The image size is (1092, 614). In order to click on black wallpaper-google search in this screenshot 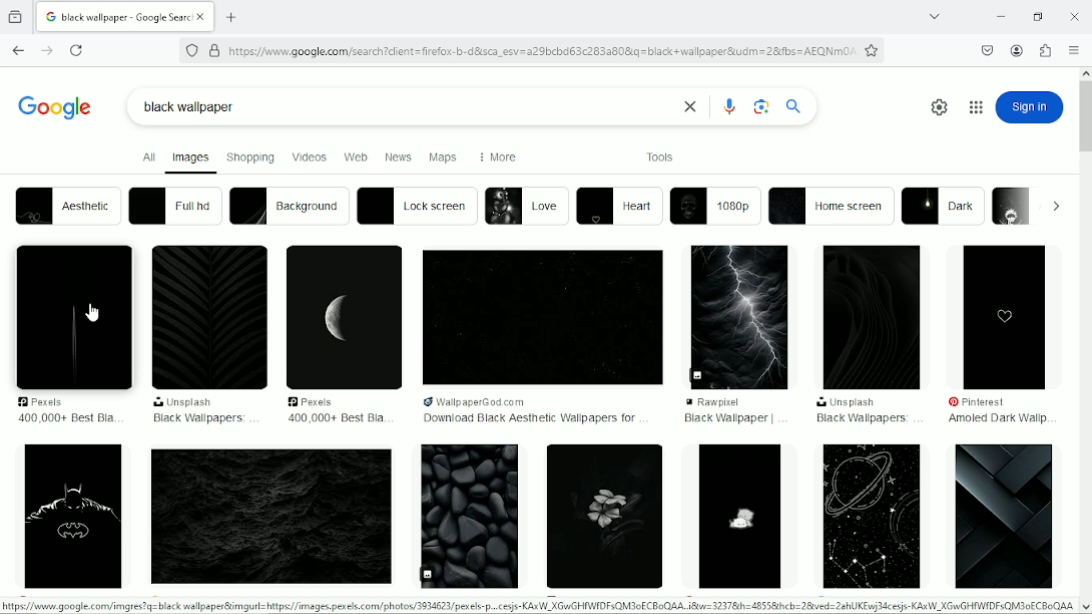, I will do `click(127, 15)`.